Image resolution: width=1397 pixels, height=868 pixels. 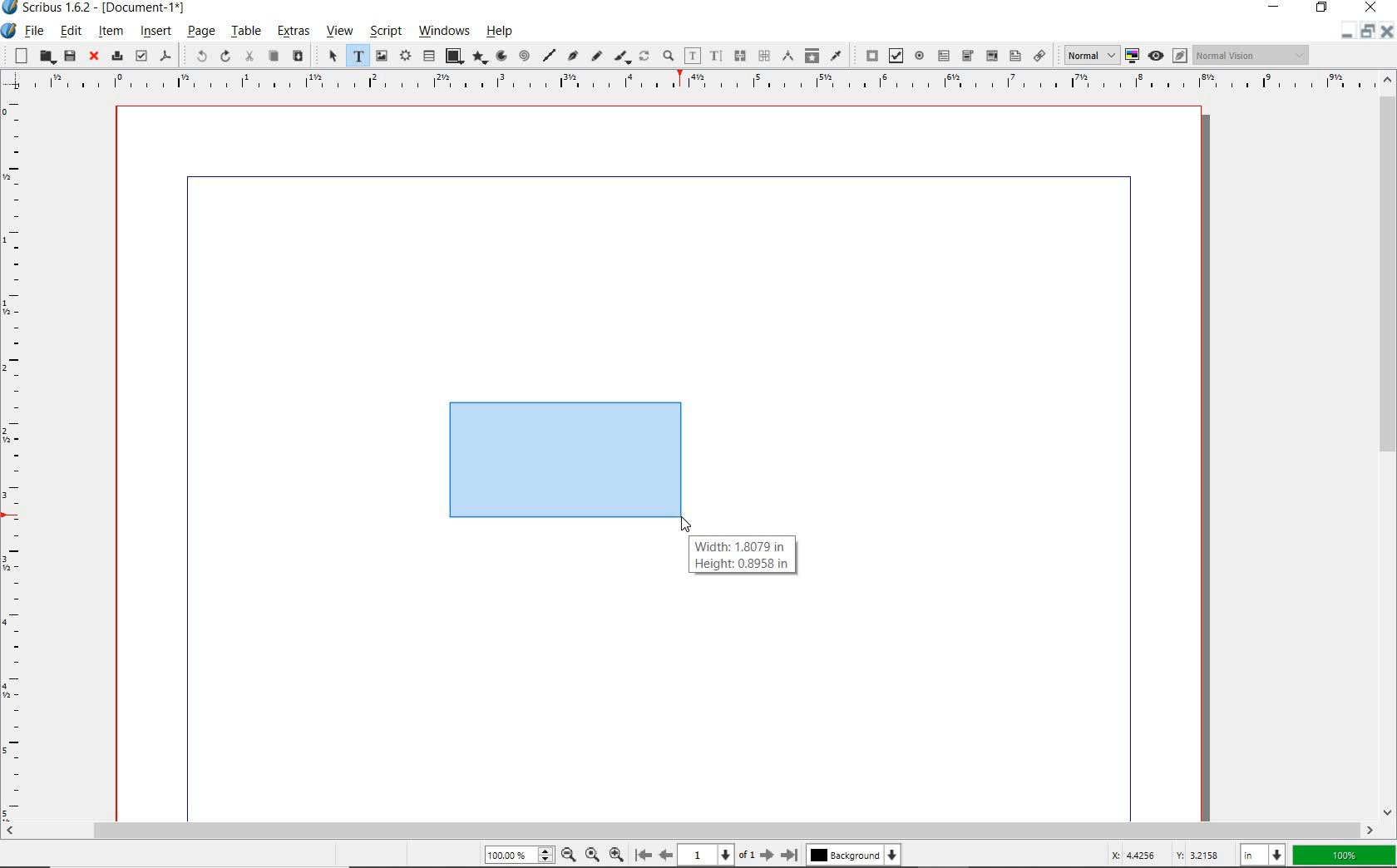 I want to click on script, so click(x=385, y=30).